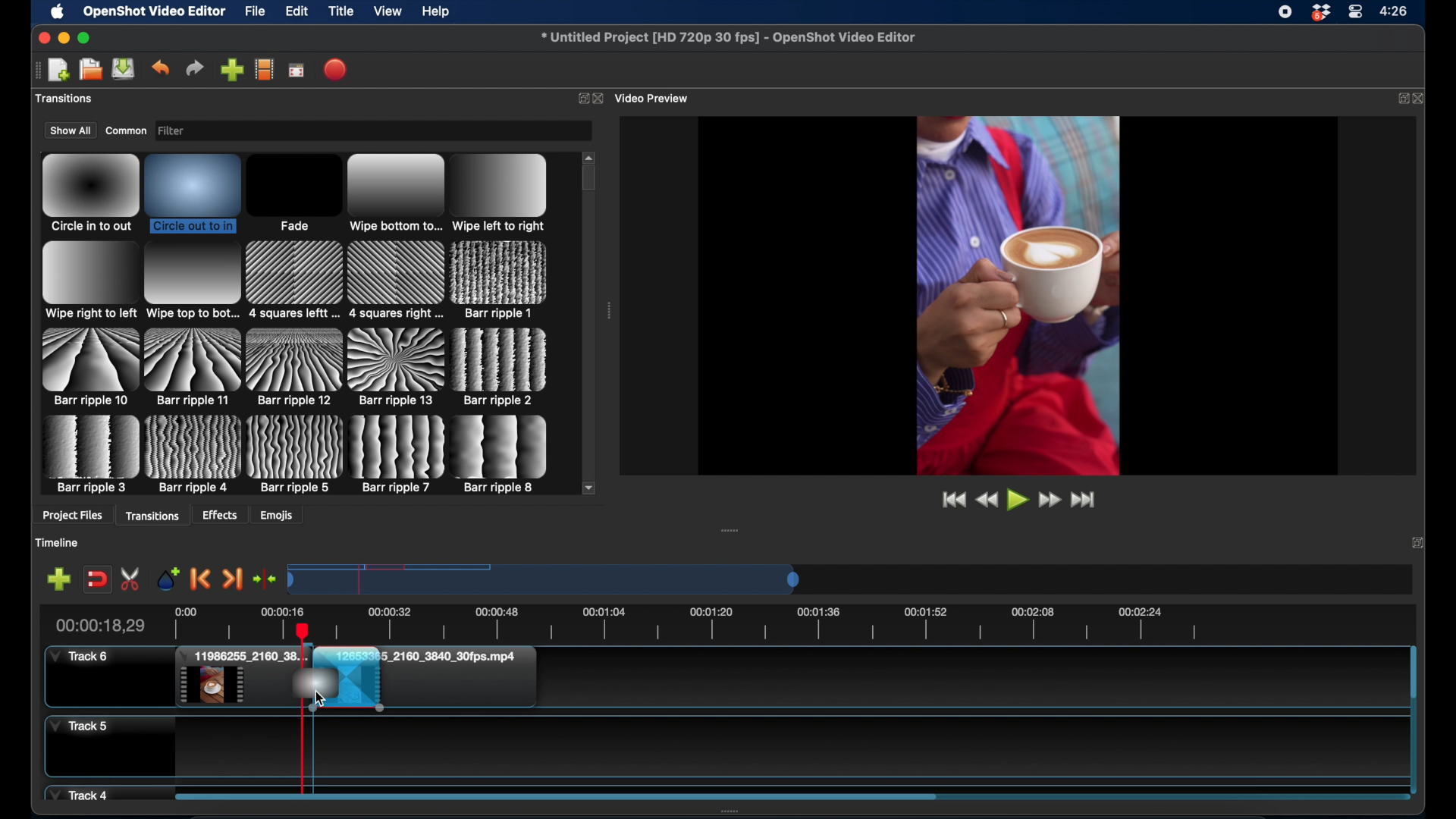  Describe the element at coordinates (500, 280) in the screenshot. I see `transition` at that location.